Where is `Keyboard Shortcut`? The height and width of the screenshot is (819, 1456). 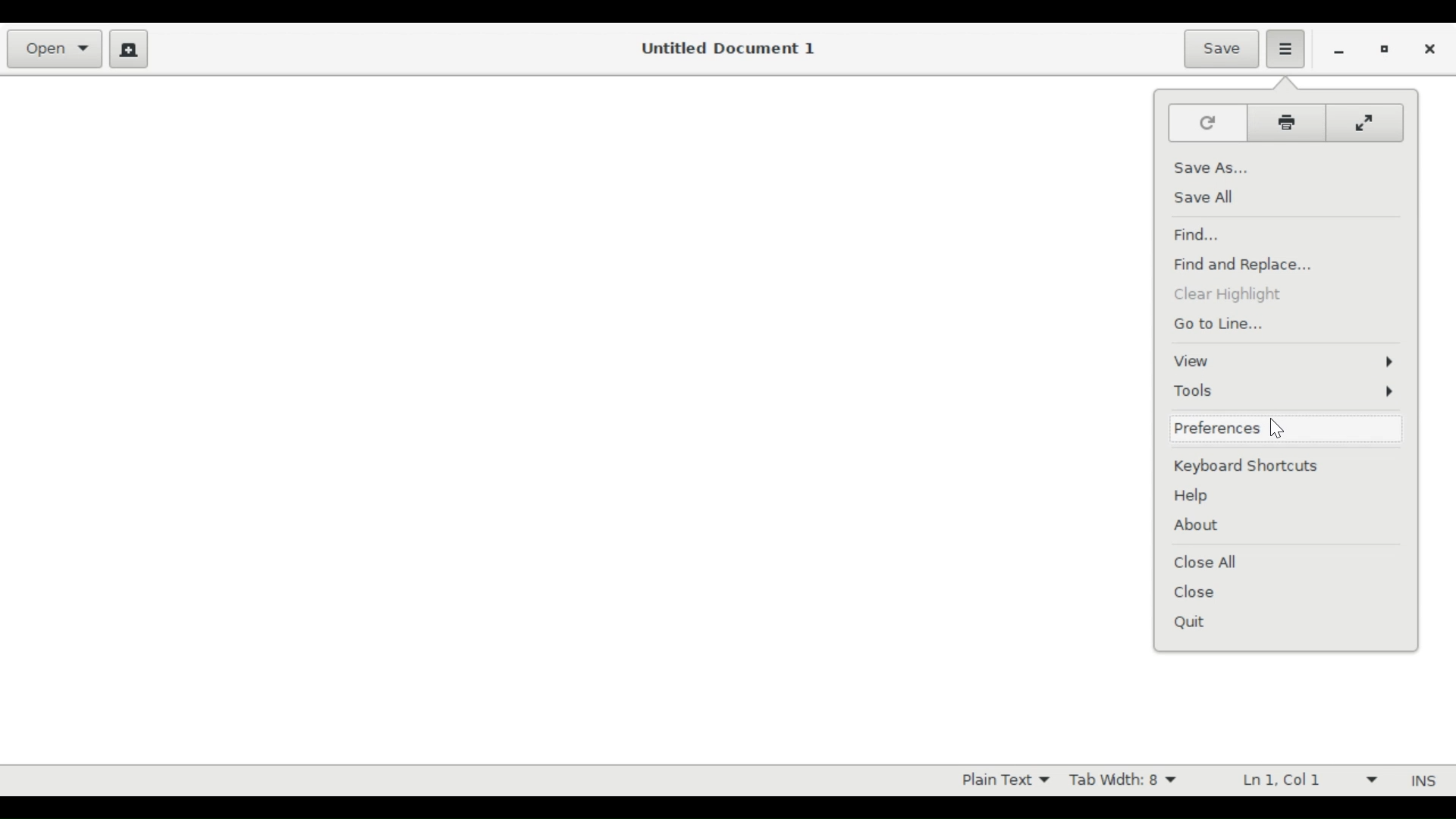 Keyboard Shortcut is located at coordinates (1249, 466).